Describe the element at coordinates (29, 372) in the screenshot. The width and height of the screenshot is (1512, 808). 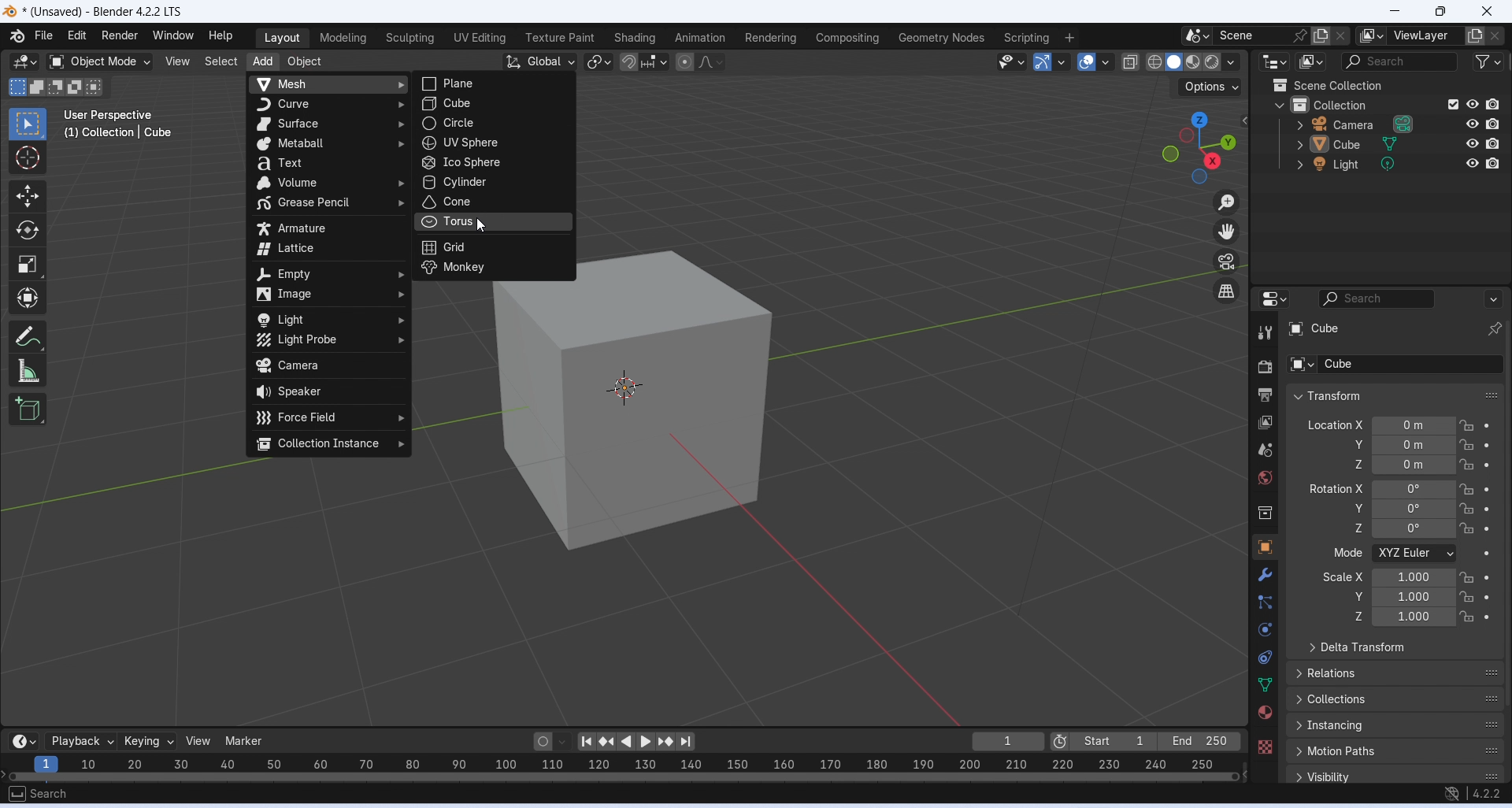
I see `Measure` at that location.